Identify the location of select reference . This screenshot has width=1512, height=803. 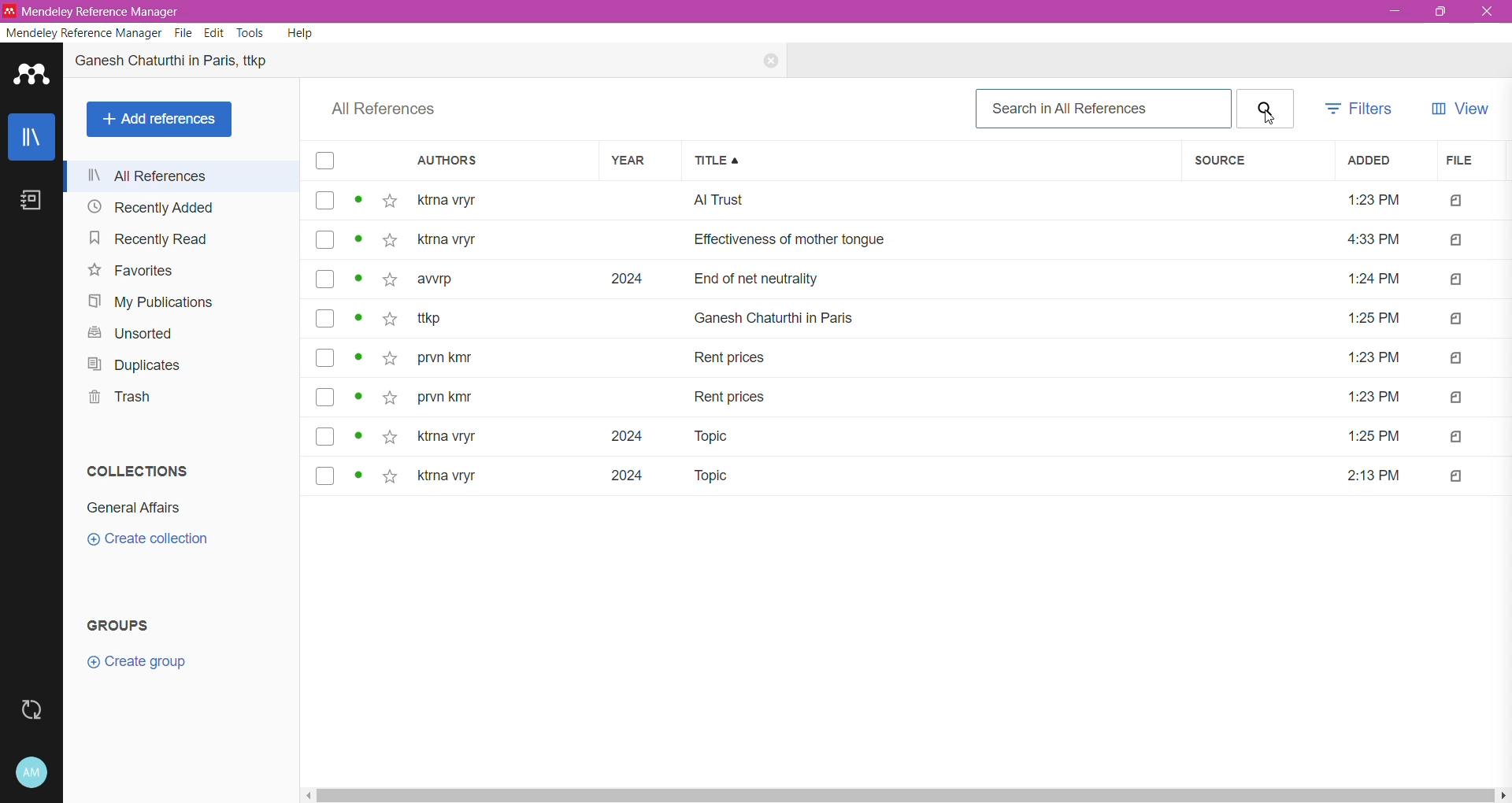
(324, 437).